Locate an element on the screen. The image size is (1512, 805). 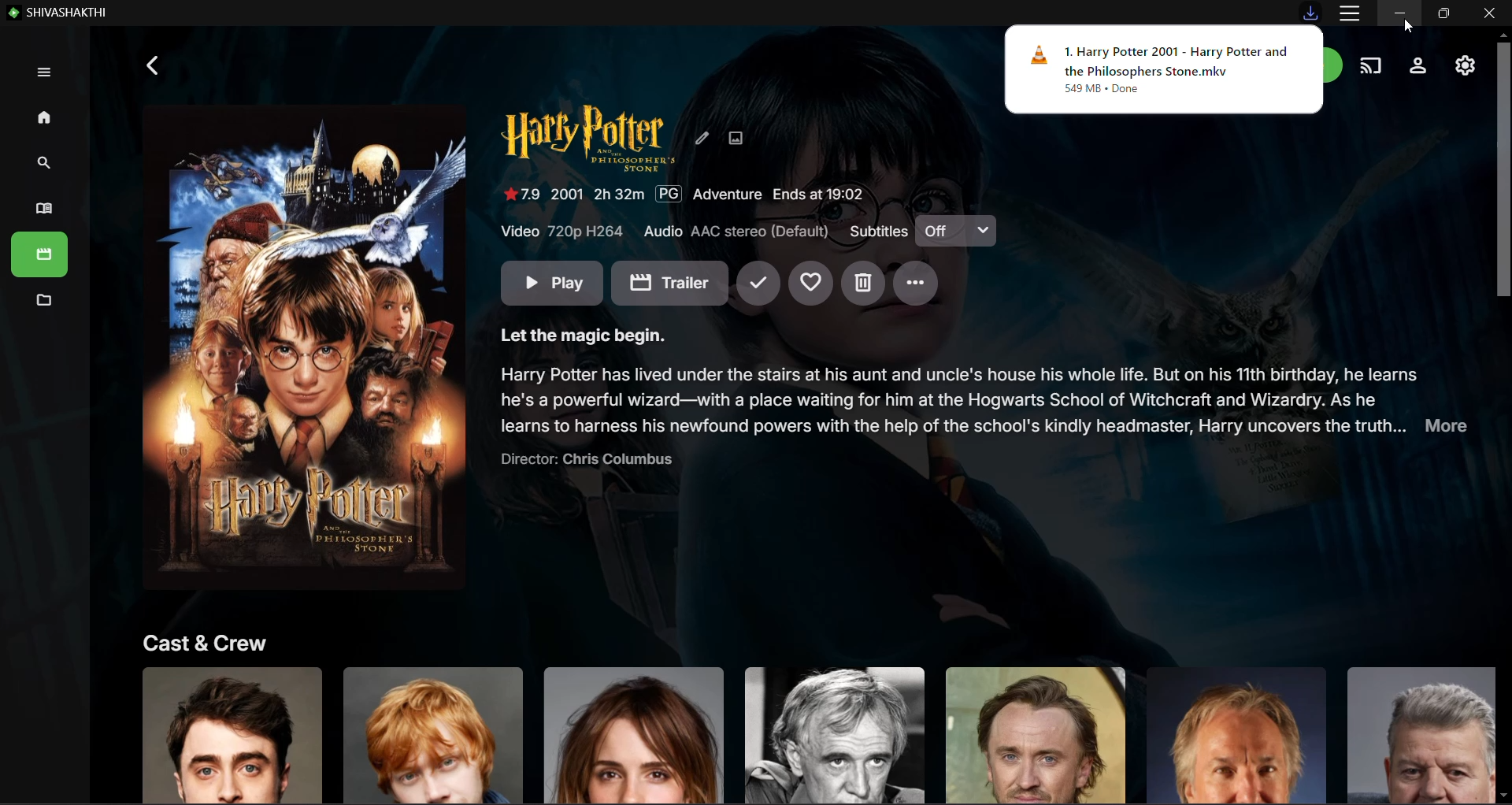
Search is located at coordinates (39, 164).